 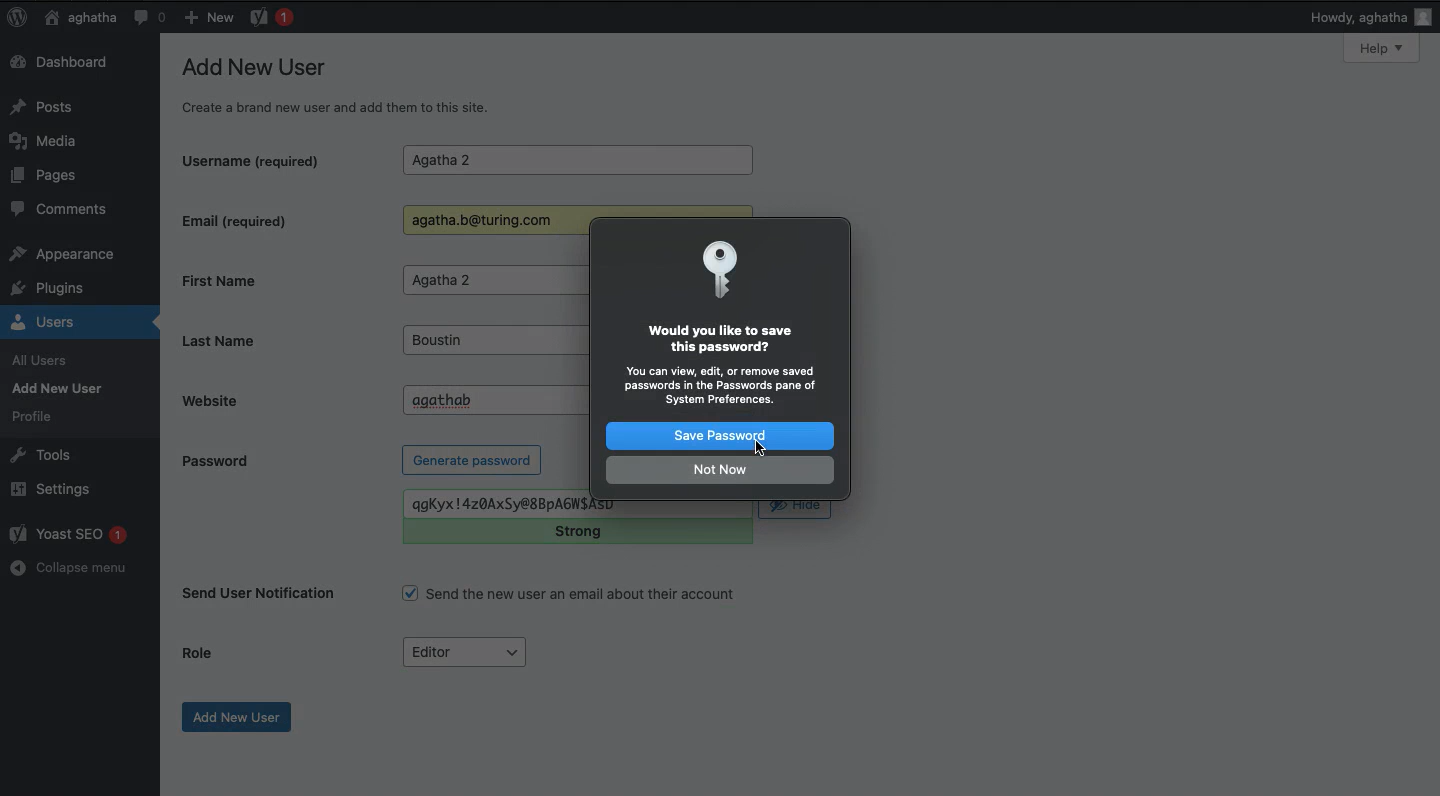 What do you see at coordinates (47, 105) in the screenshot?
I see `Posts` at bounding box center [47, 105].